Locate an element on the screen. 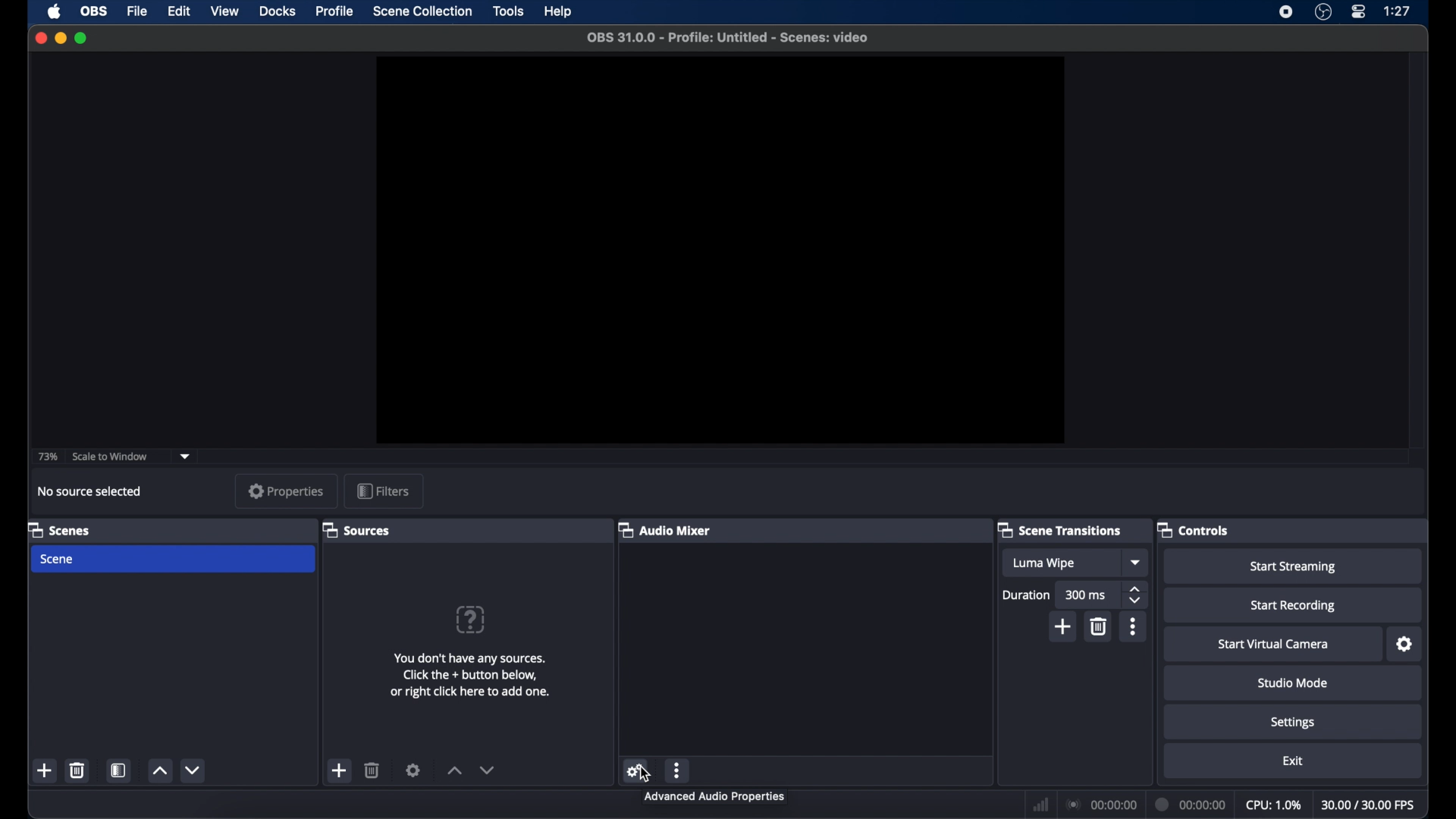  file name is located at coordinates (730, 38).